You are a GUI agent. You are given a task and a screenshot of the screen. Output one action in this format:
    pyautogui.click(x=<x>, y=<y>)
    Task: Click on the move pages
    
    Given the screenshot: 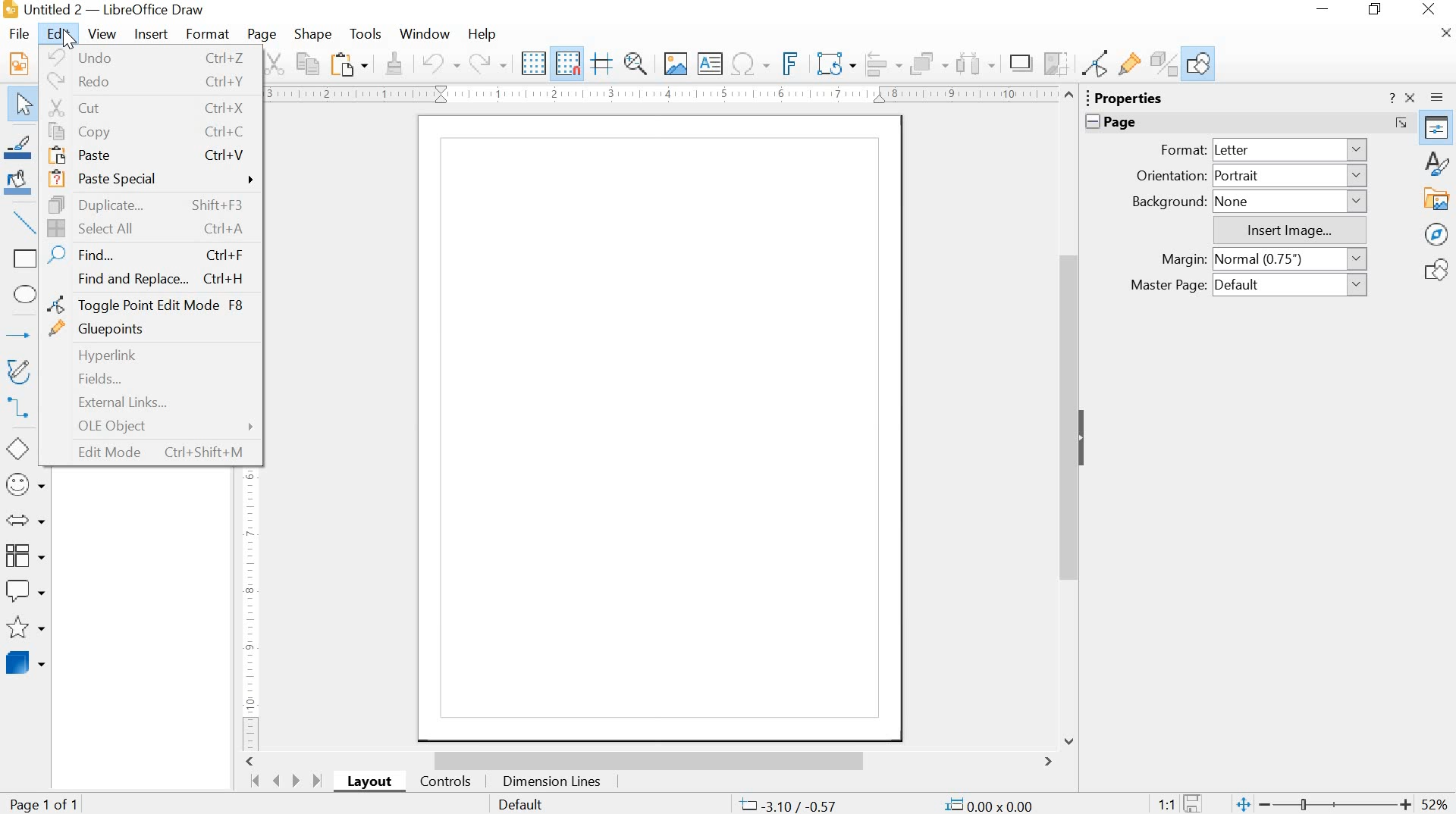 What is the action you would take?
    pyautogui.click(x=286, y=781)
    